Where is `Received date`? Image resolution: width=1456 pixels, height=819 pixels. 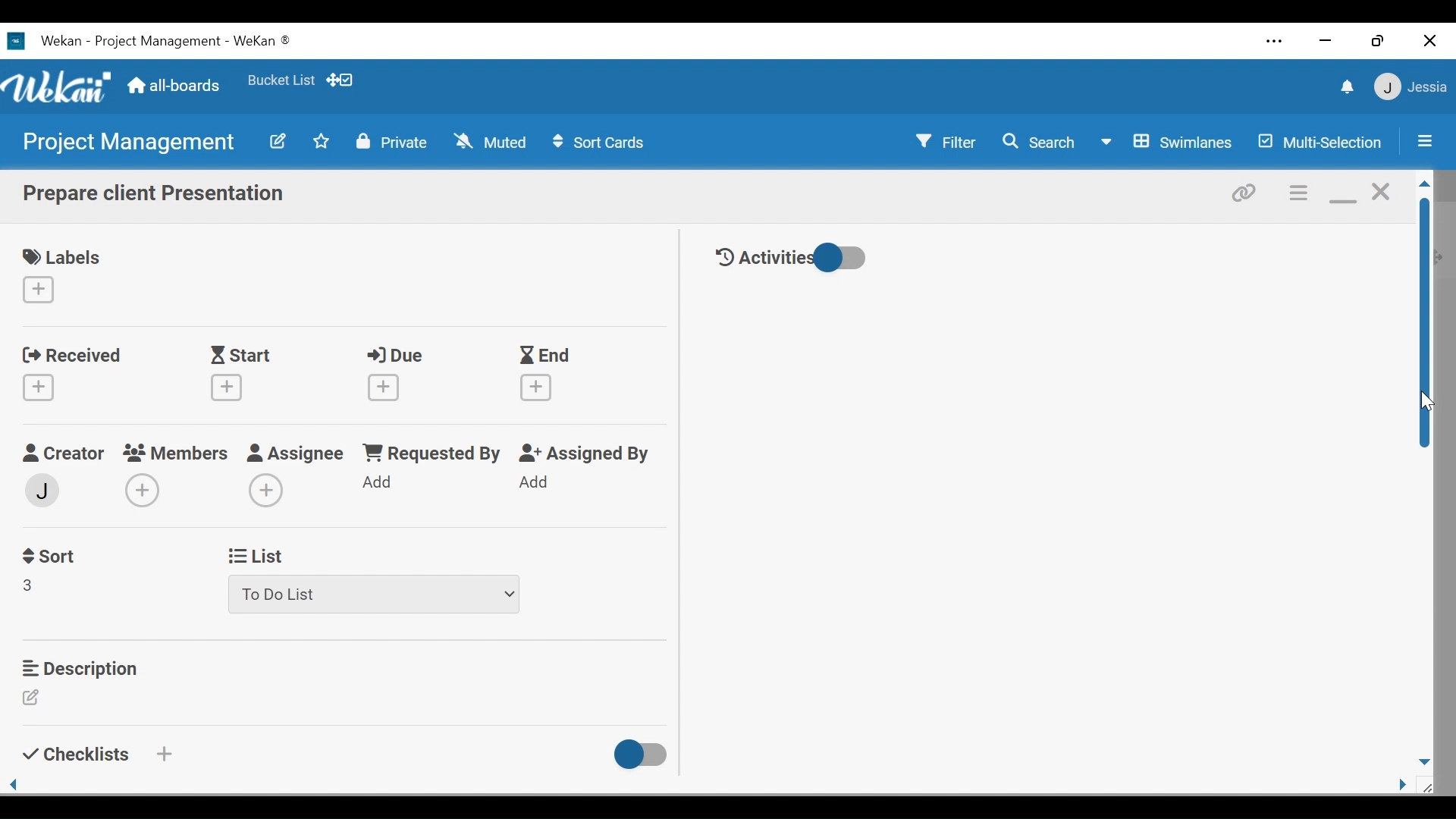
Received date is located at coordinates (74, 356).